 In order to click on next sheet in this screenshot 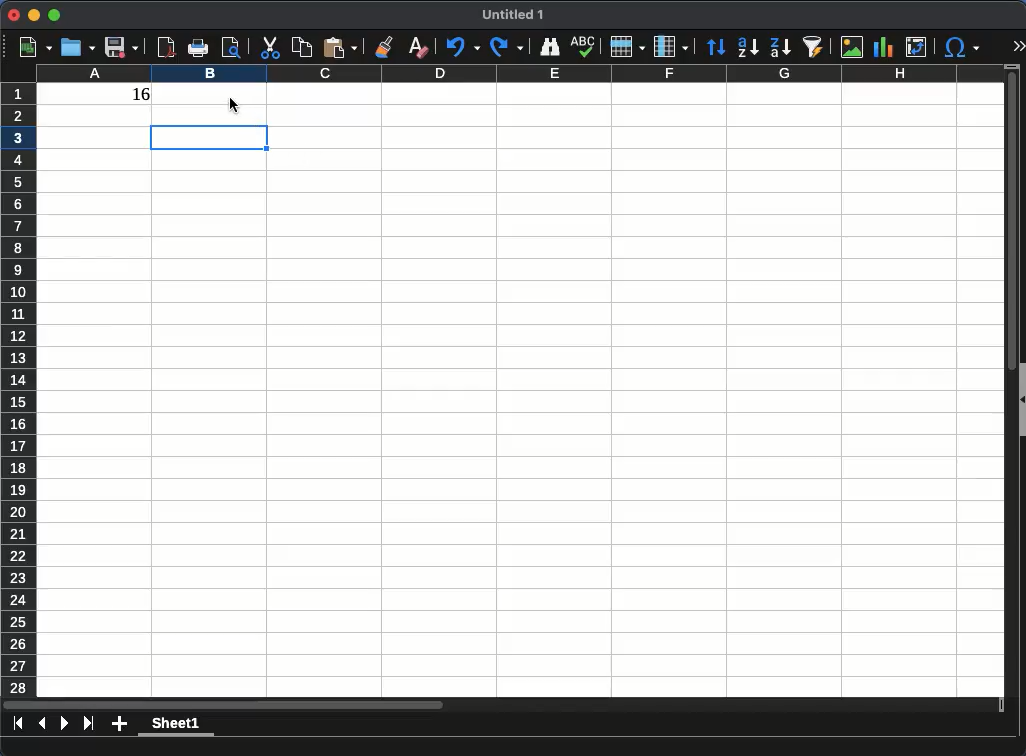, I will do `click(63, 723)`.